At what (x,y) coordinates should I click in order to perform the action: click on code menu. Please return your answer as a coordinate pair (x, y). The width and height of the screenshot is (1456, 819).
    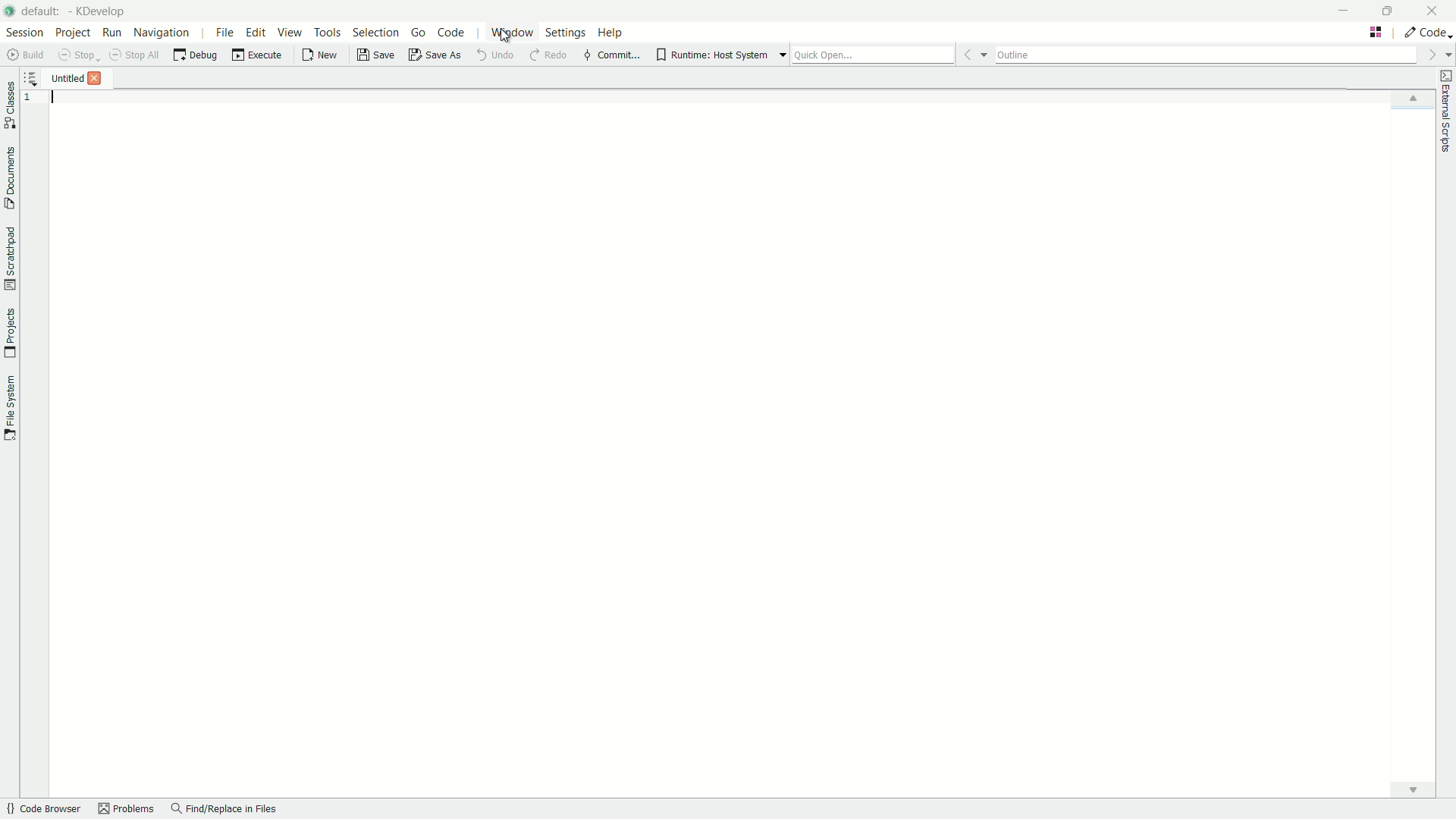
    Looking at the image, I should click on (451, 33).